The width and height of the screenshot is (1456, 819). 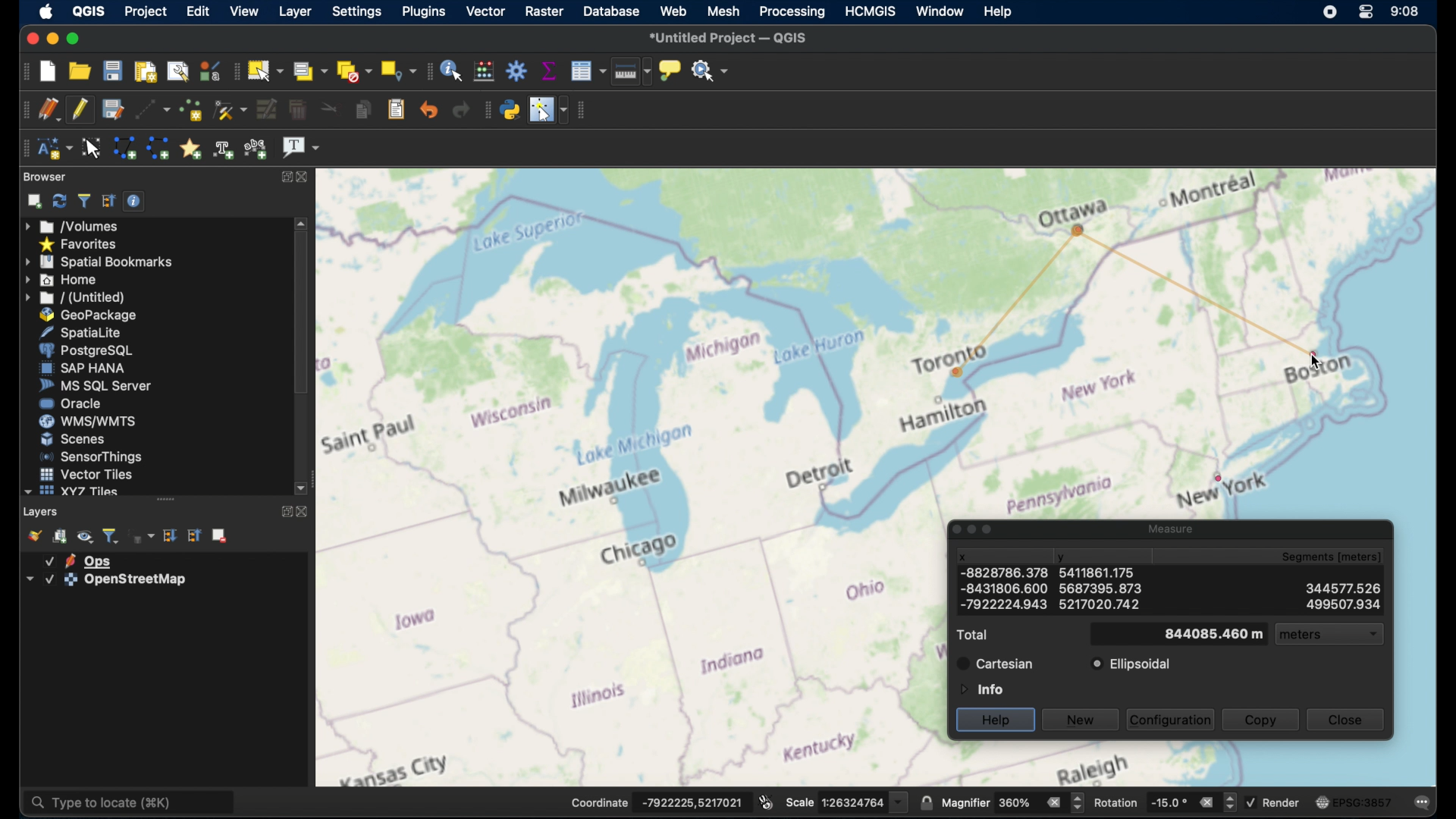 I want to click on current CRS, so click(x=1354, y=800).